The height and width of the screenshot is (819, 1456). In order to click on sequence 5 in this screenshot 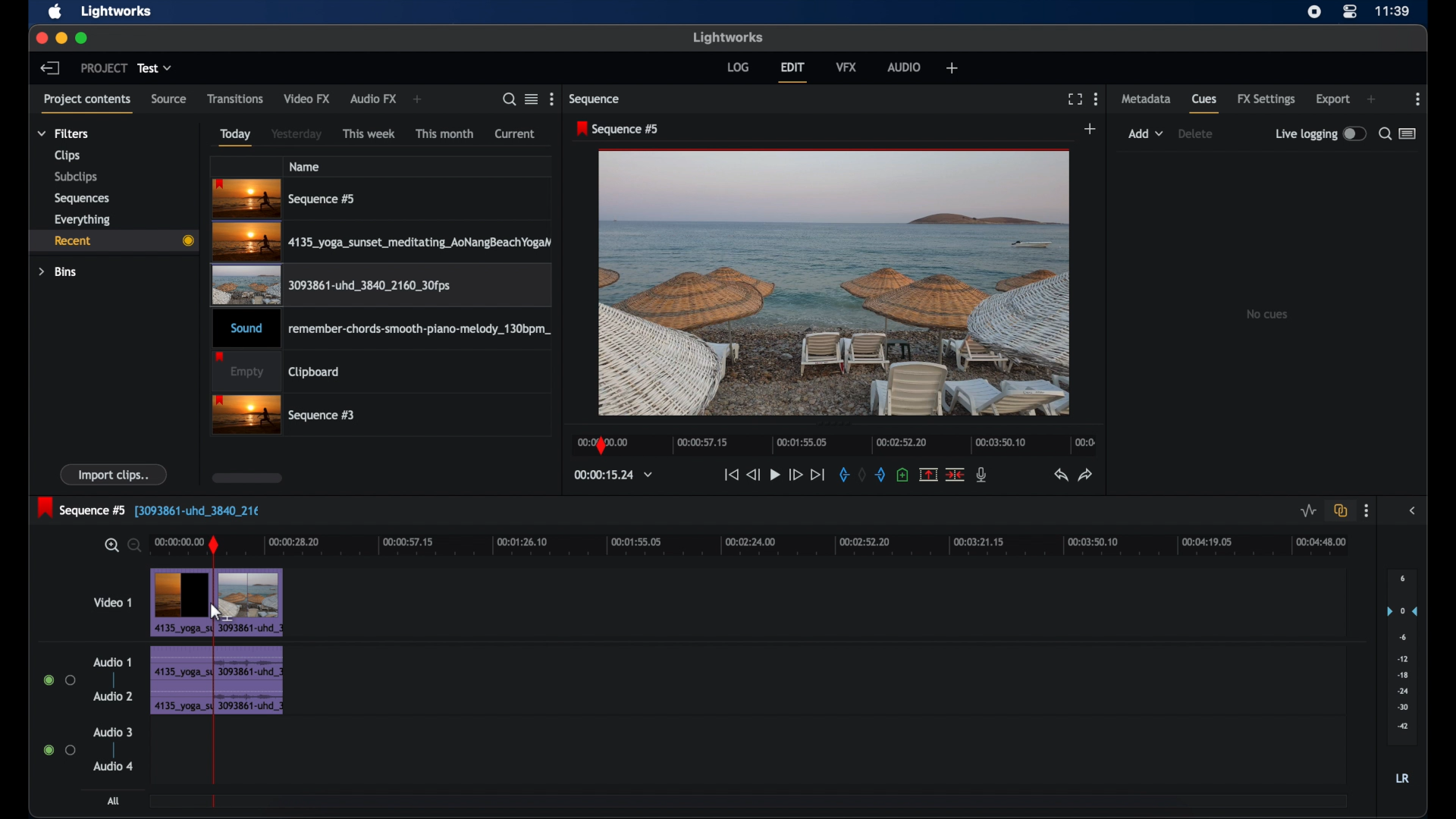, I will do `click(105, 509)`.